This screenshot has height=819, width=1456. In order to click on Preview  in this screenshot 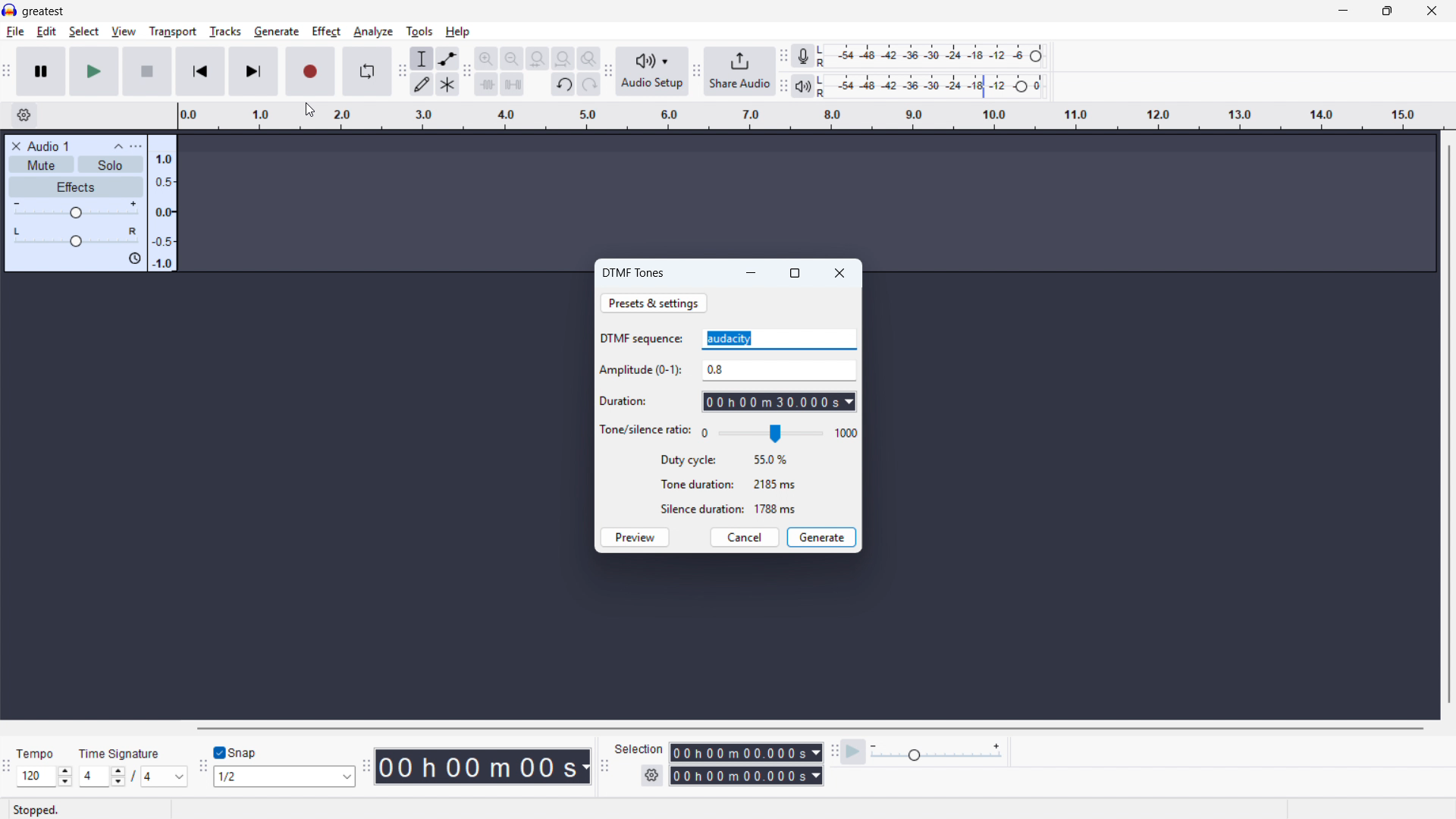, I will do `click(633, 538)`.